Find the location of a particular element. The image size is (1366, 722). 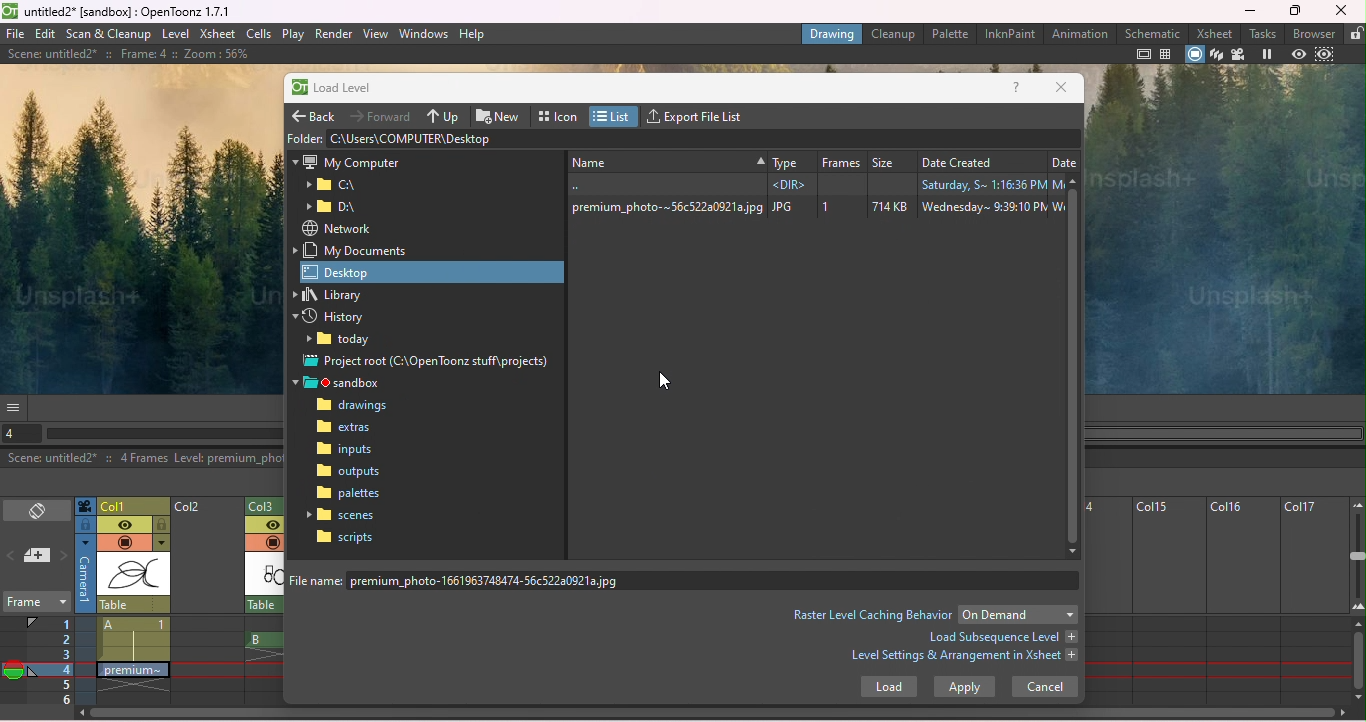

Scan & Cleanup is located at coordinates (110, 34).